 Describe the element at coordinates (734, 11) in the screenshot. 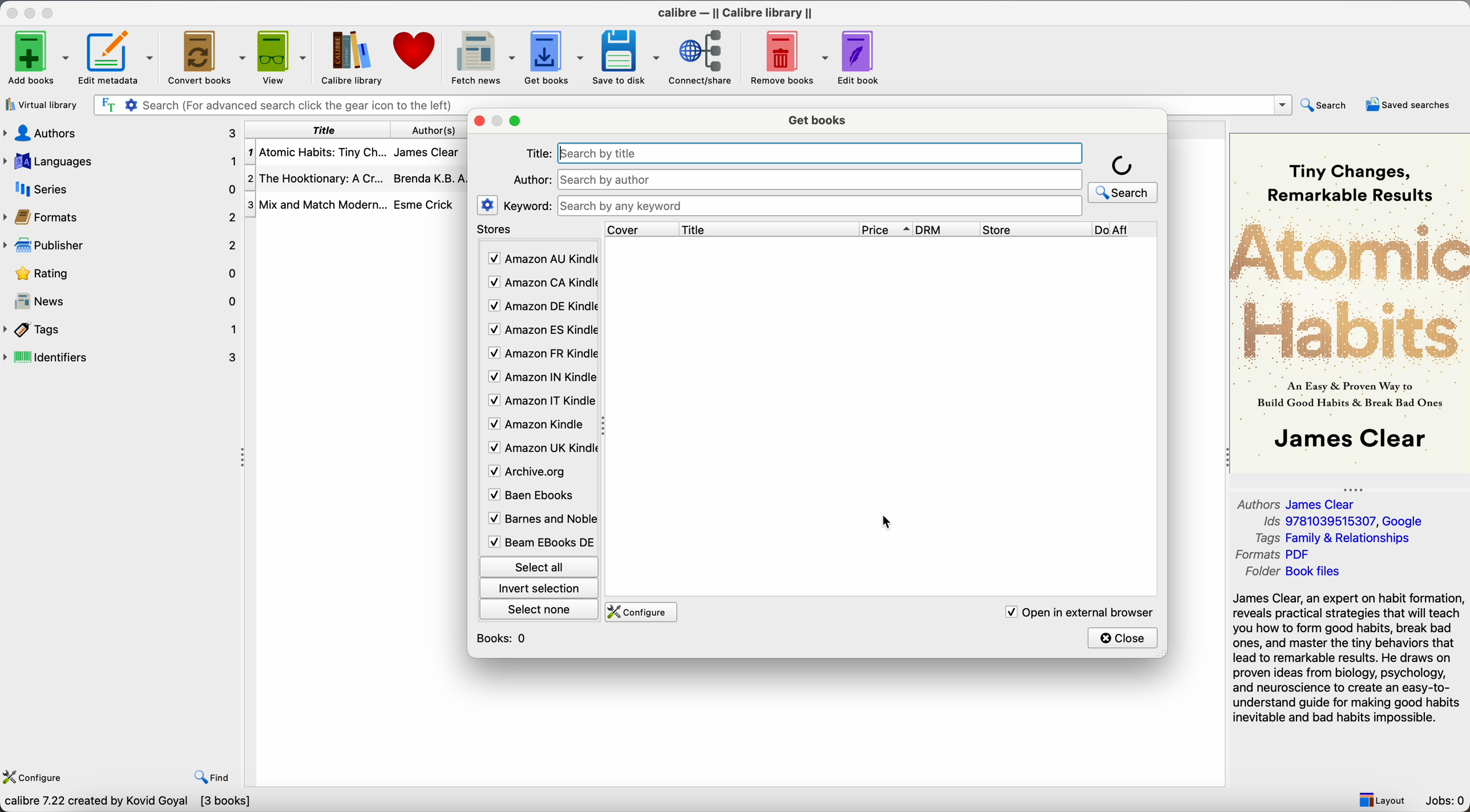

I see `Calibre - || Calibre library ||` at that location.